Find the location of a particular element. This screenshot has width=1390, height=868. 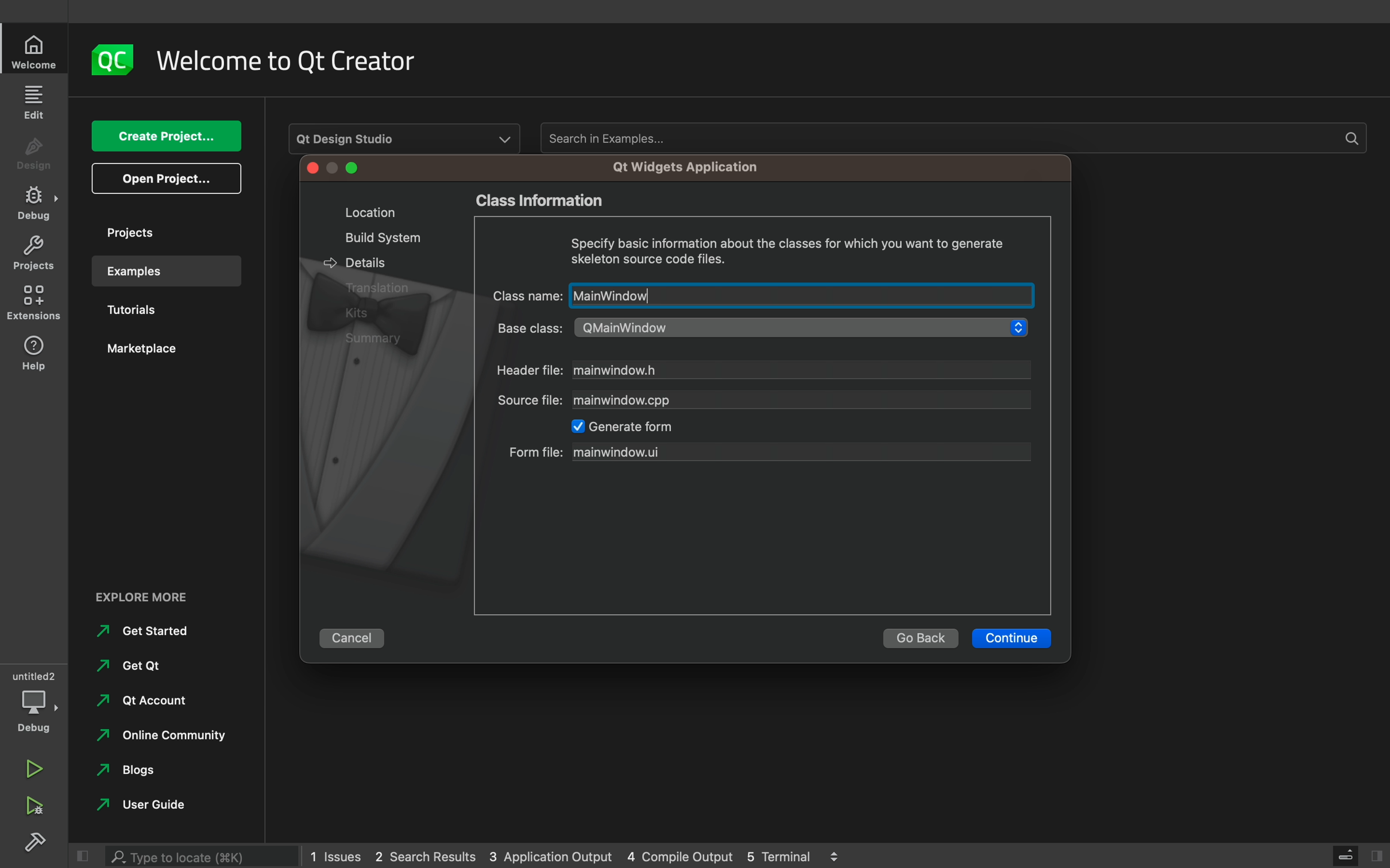

continue is located at coordinates (1013, 638).